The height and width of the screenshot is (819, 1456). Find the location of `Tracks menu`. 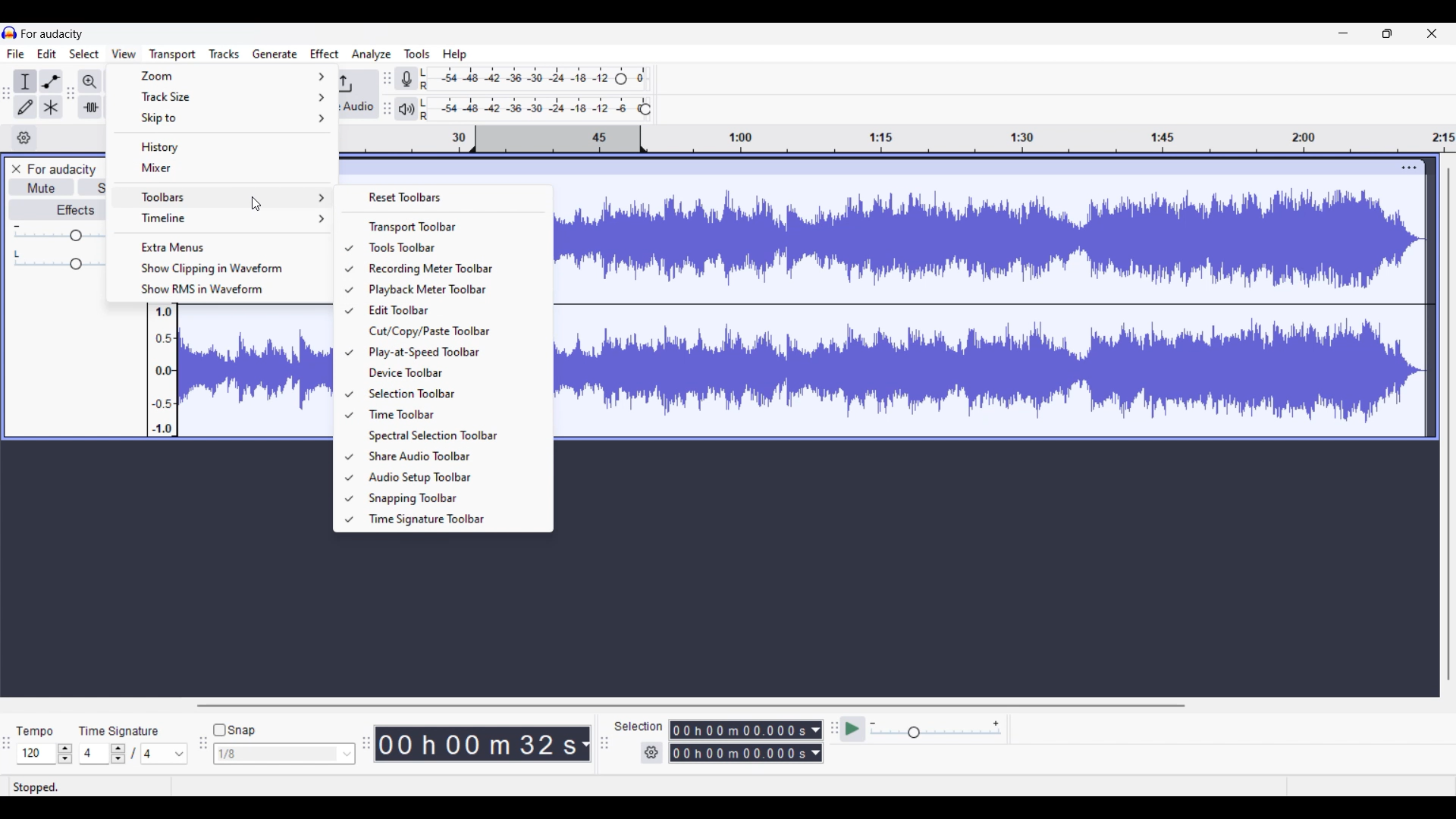

Tracks menu is located at coordinates (224, 54).